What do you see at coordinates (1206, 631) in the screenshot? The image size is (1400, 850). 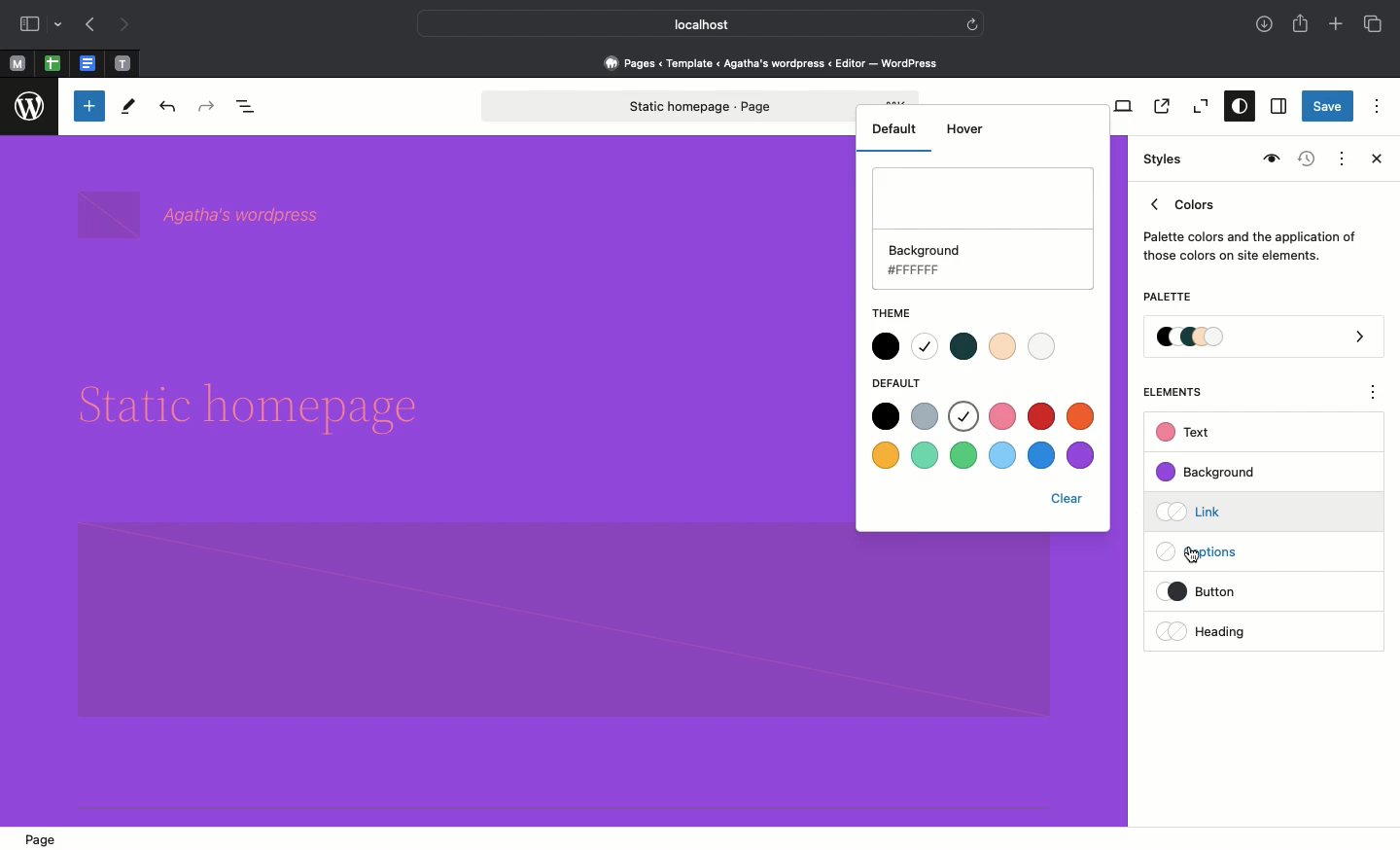 I see `Heading` at bounding box center [1206, 631].